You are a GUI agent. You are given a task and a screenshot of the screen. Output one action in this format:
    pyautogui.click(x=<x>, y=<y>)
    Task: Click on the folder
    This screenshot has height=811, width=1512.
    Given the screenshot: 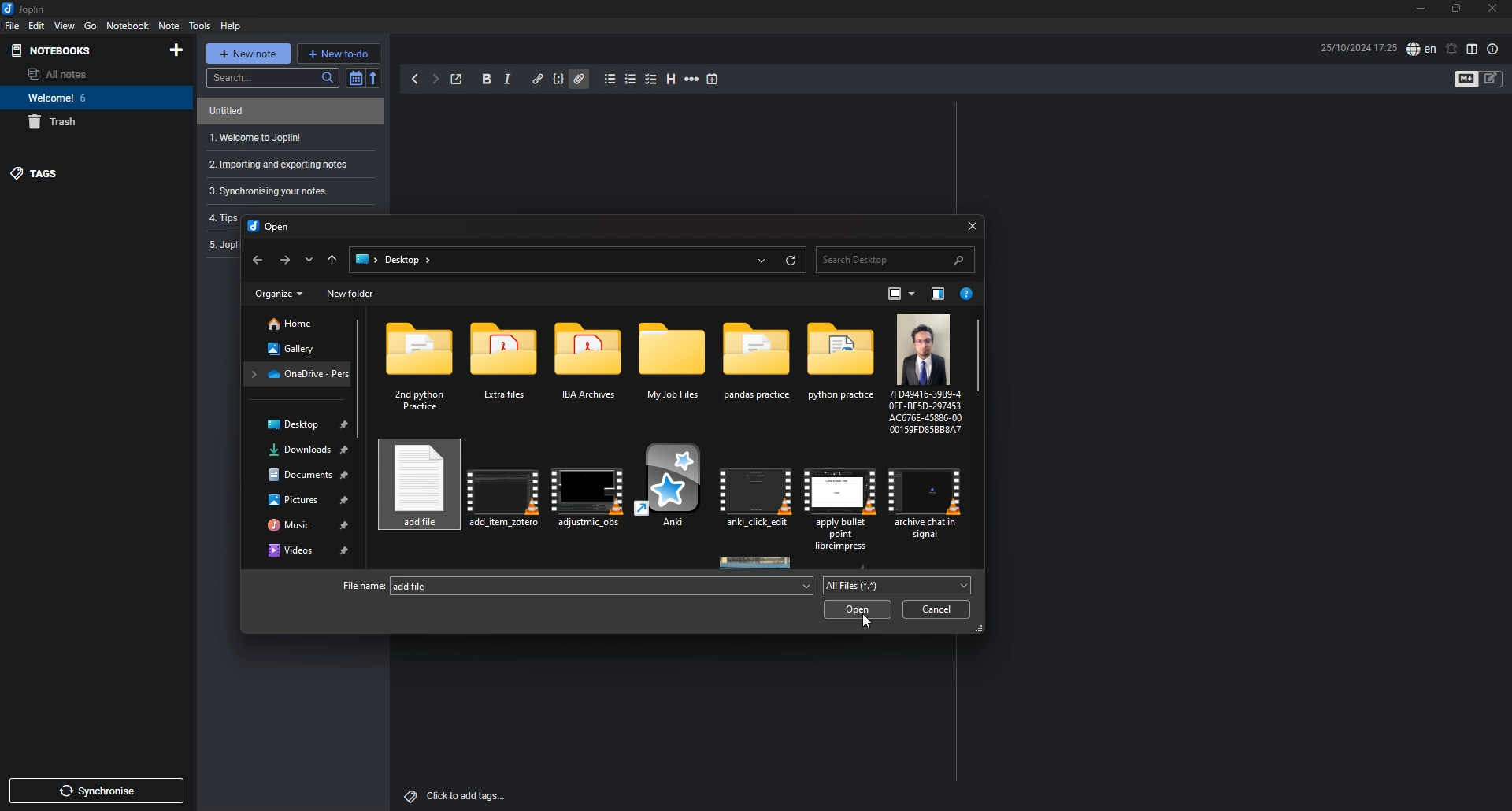 What is the action you would take?
    pyautogui.click(x=365, y=259)
    